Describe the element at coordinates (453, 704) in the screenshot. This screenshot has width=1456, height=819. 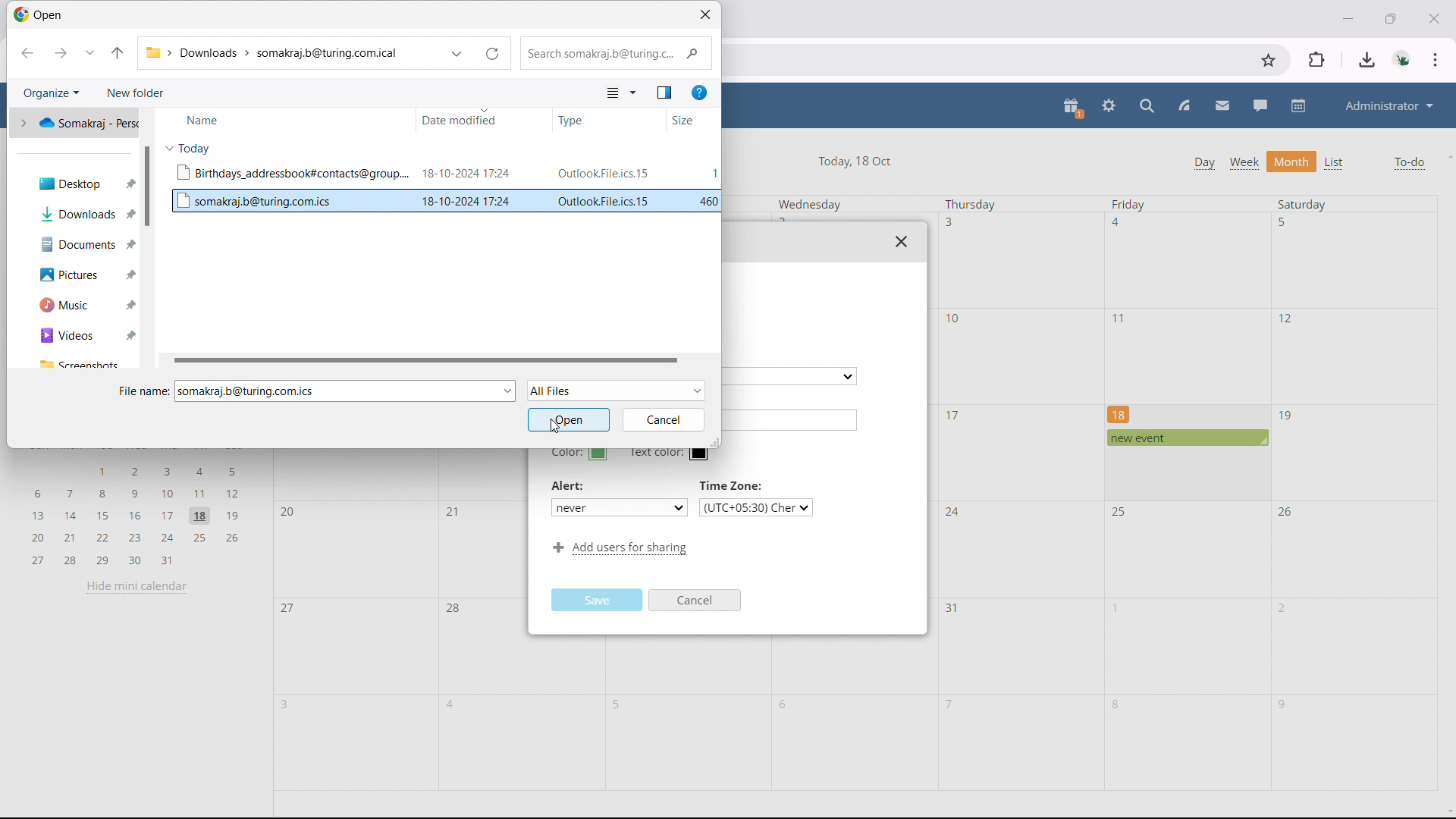
I see `4` at that location.